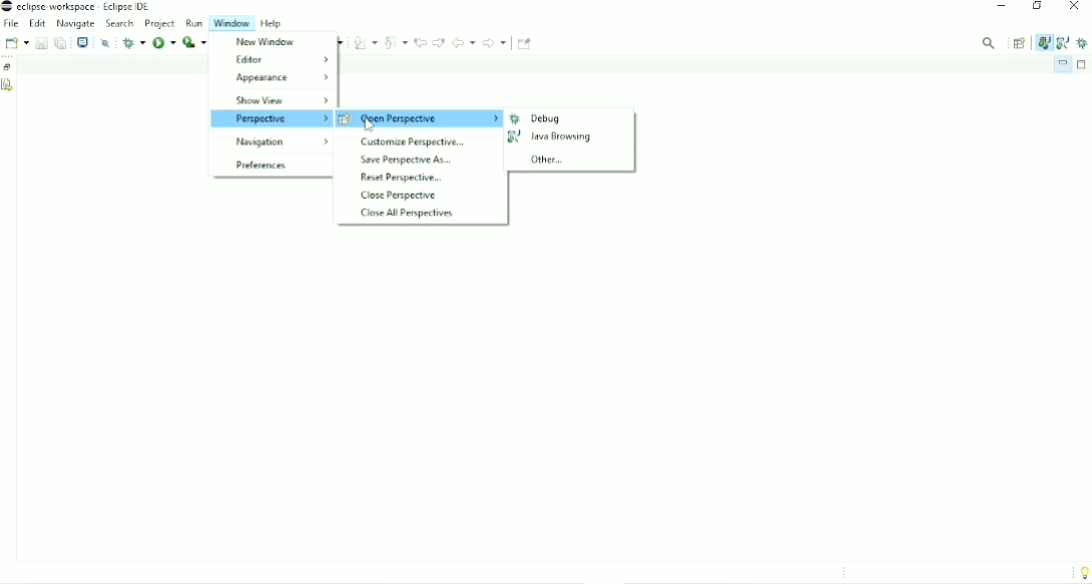 Image resolution: width=1092 pixels, height=584 pixels. Describe the element at coordinates (399, 178) in the screenshot. I see `Reset Perspective` at that location.